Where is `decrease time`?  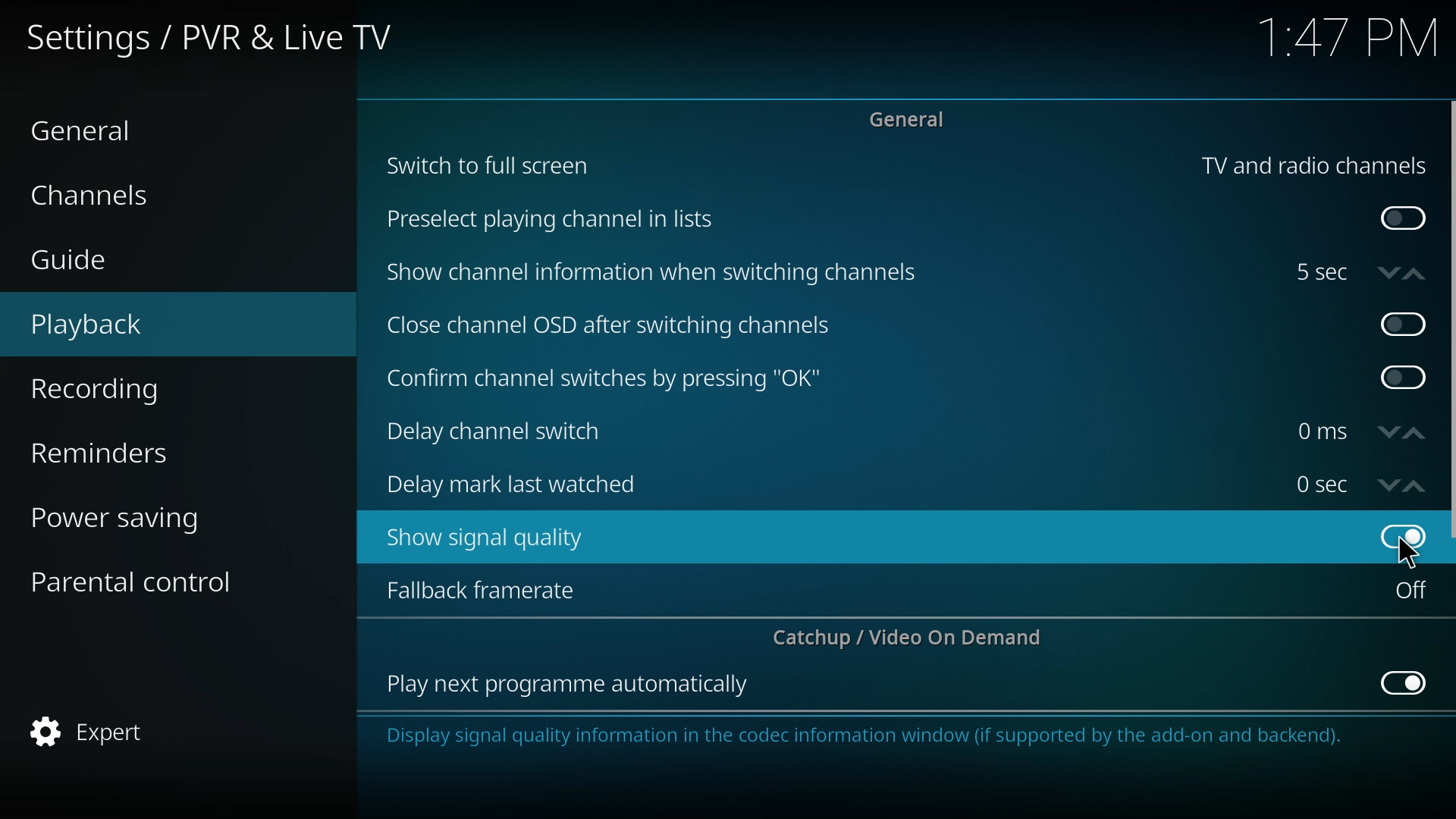
decrease time is located at coordinates (1389, 271).